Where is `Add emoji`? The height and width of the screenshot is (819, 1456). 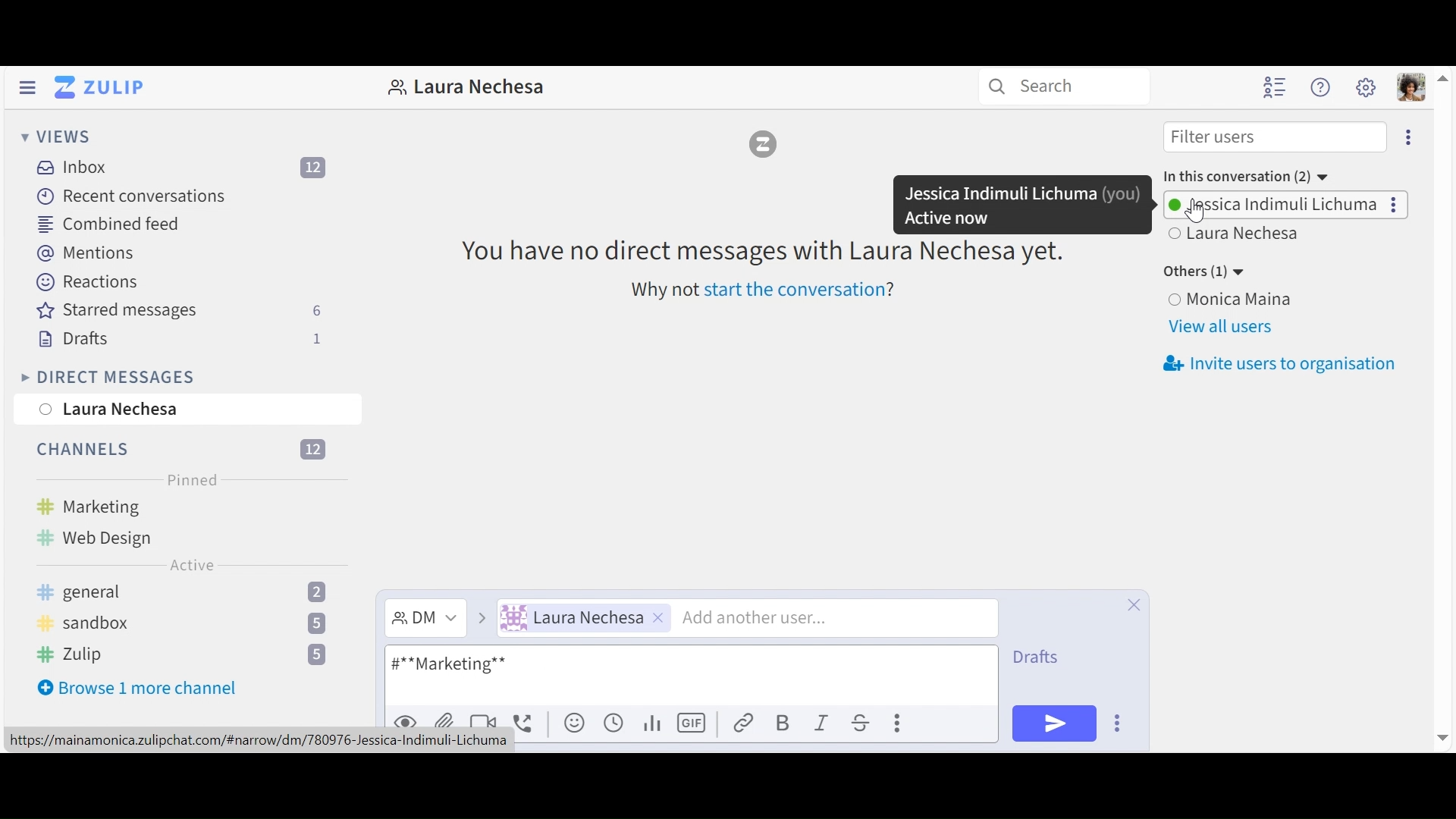
Add emoji is located at coordinates (573, 723).